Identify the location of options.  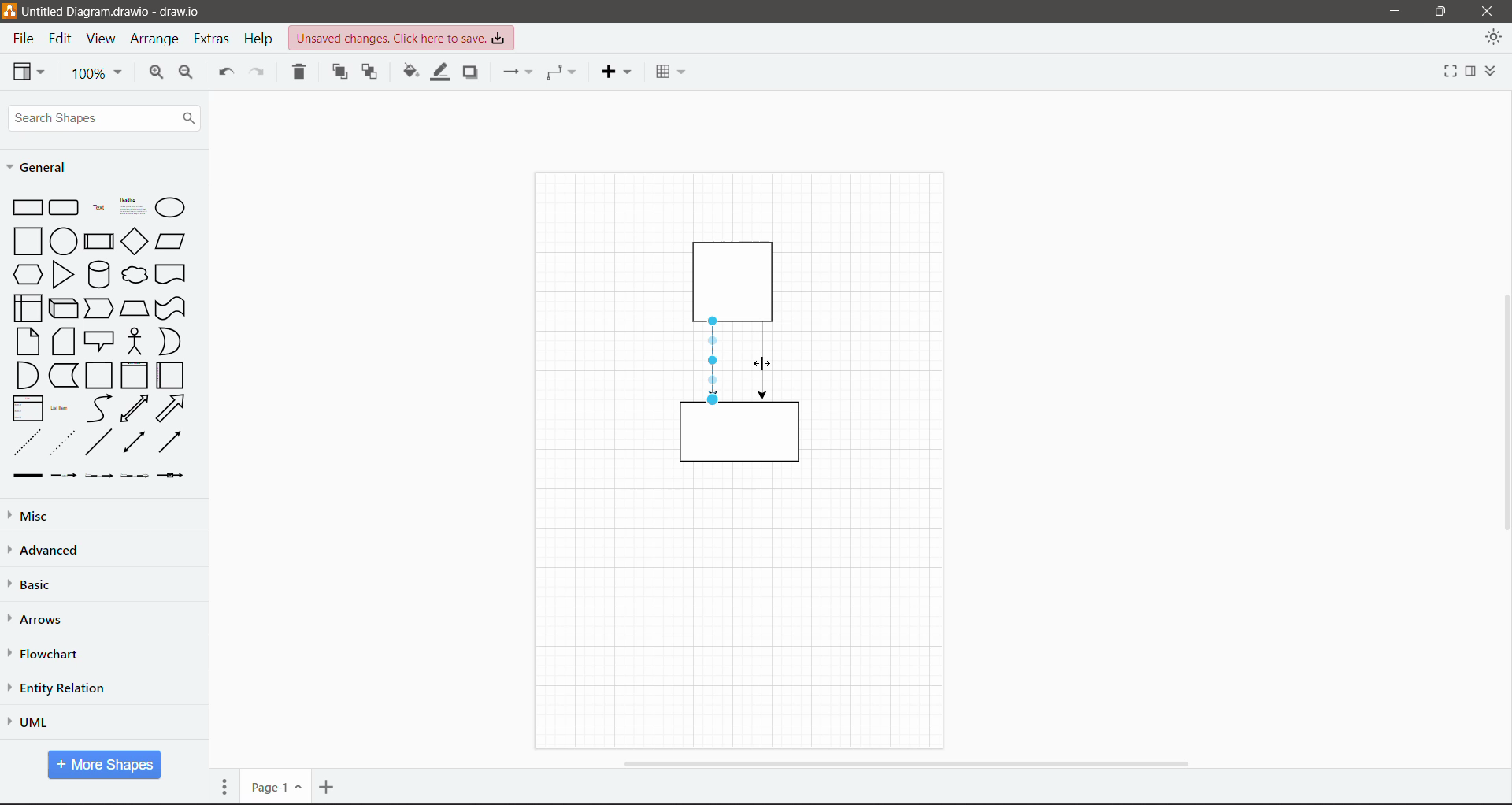
(224, 786).